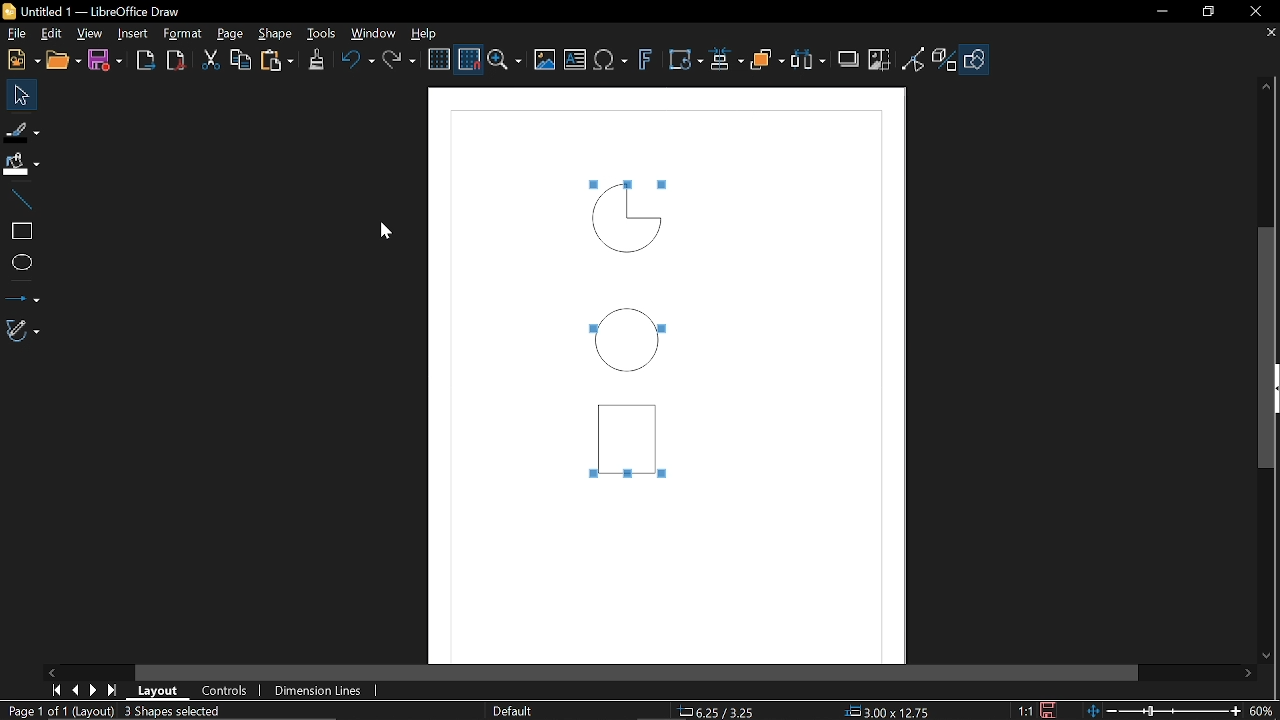 The width and height of the screenshot is (1280, 720). I want to click on Minimize, so click(1167, 12).